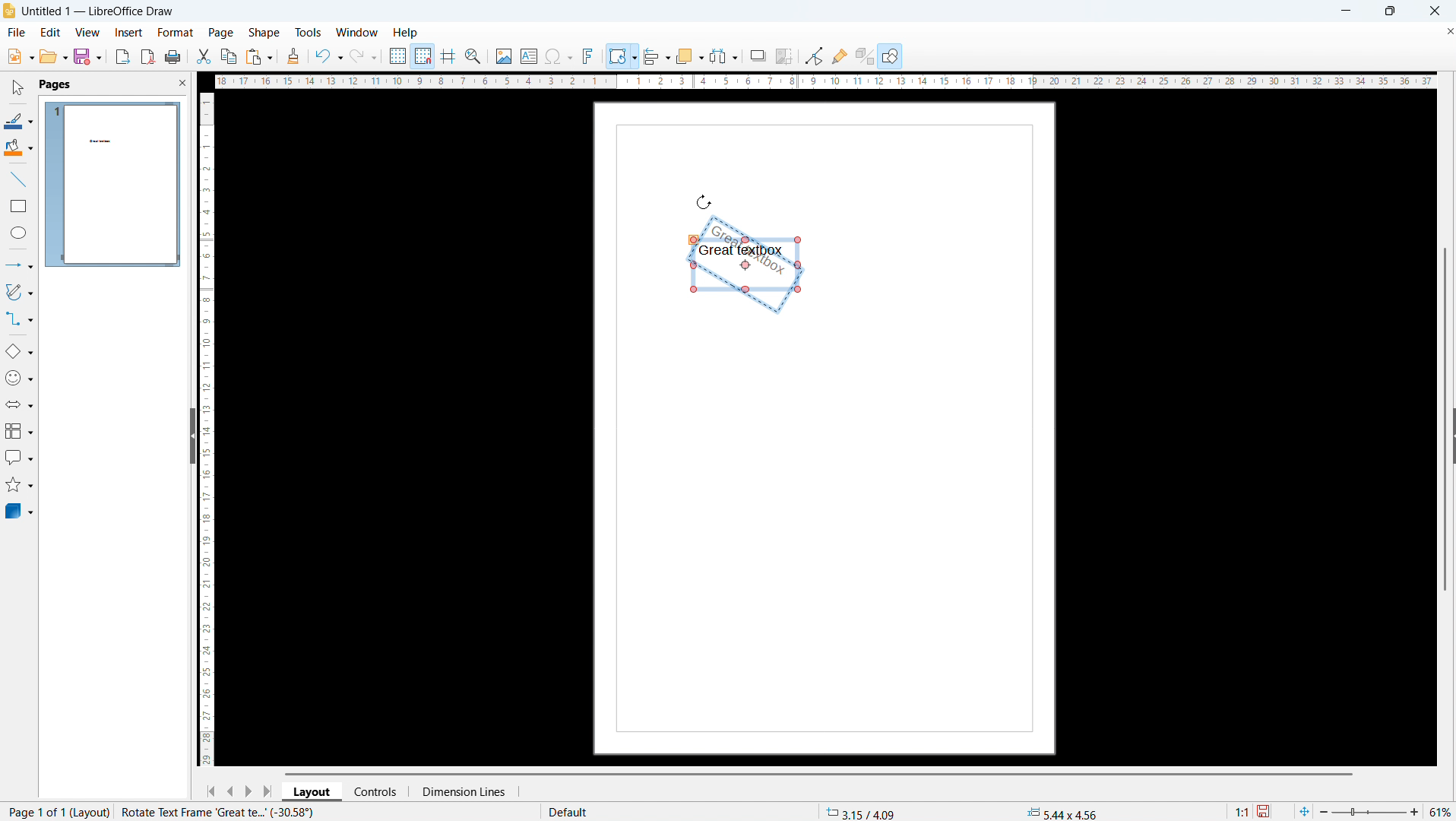 Image resolution: width=1456 pixels, height=821 pixels. Describe the element at coordinates (19, 88) in the screenshot. I see `select` at that location.